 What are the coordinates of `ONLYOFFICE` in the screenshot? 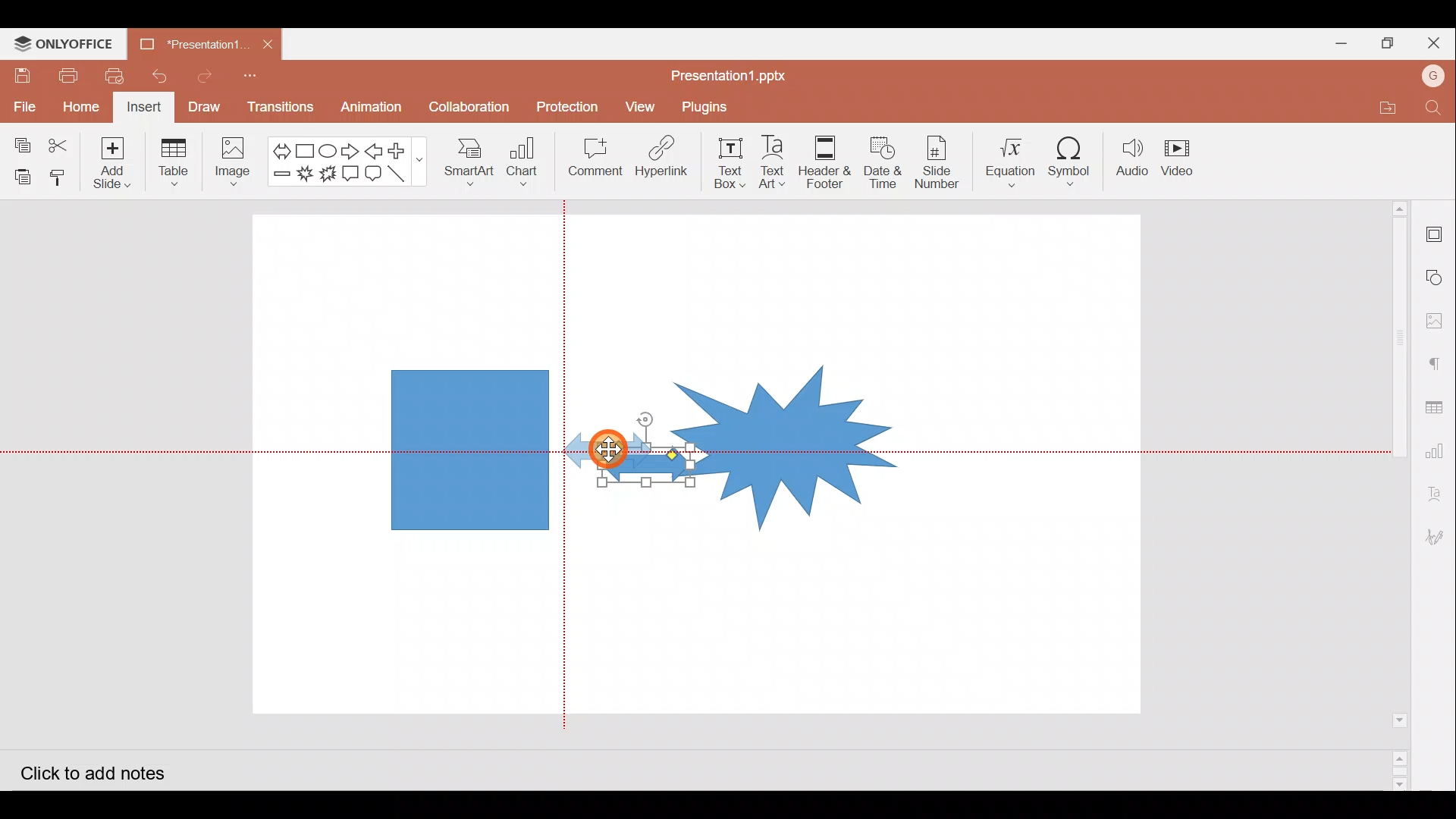 It's located at (63, 44).